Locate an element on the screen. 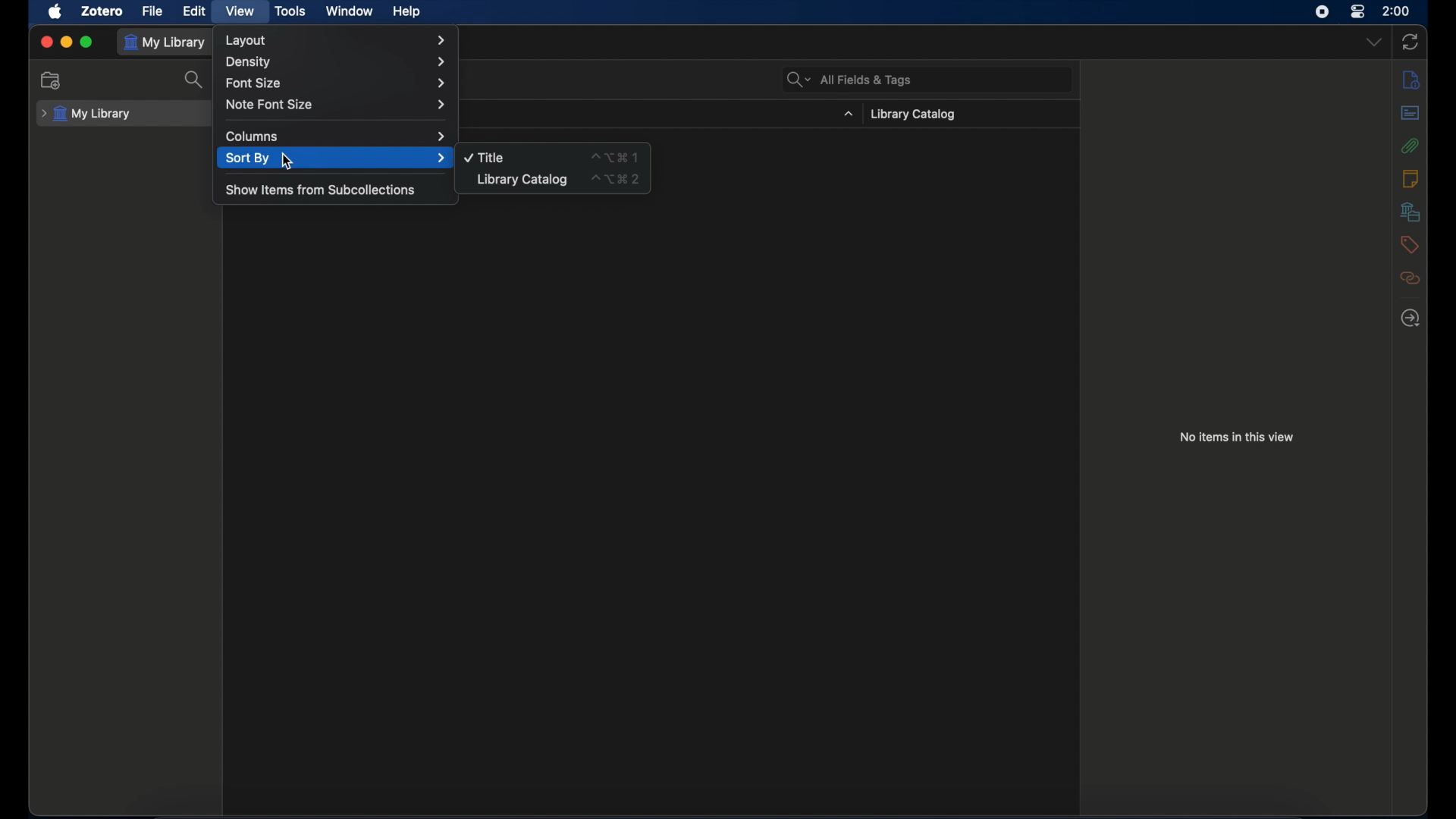  related is located at coordinates (1411, 278).